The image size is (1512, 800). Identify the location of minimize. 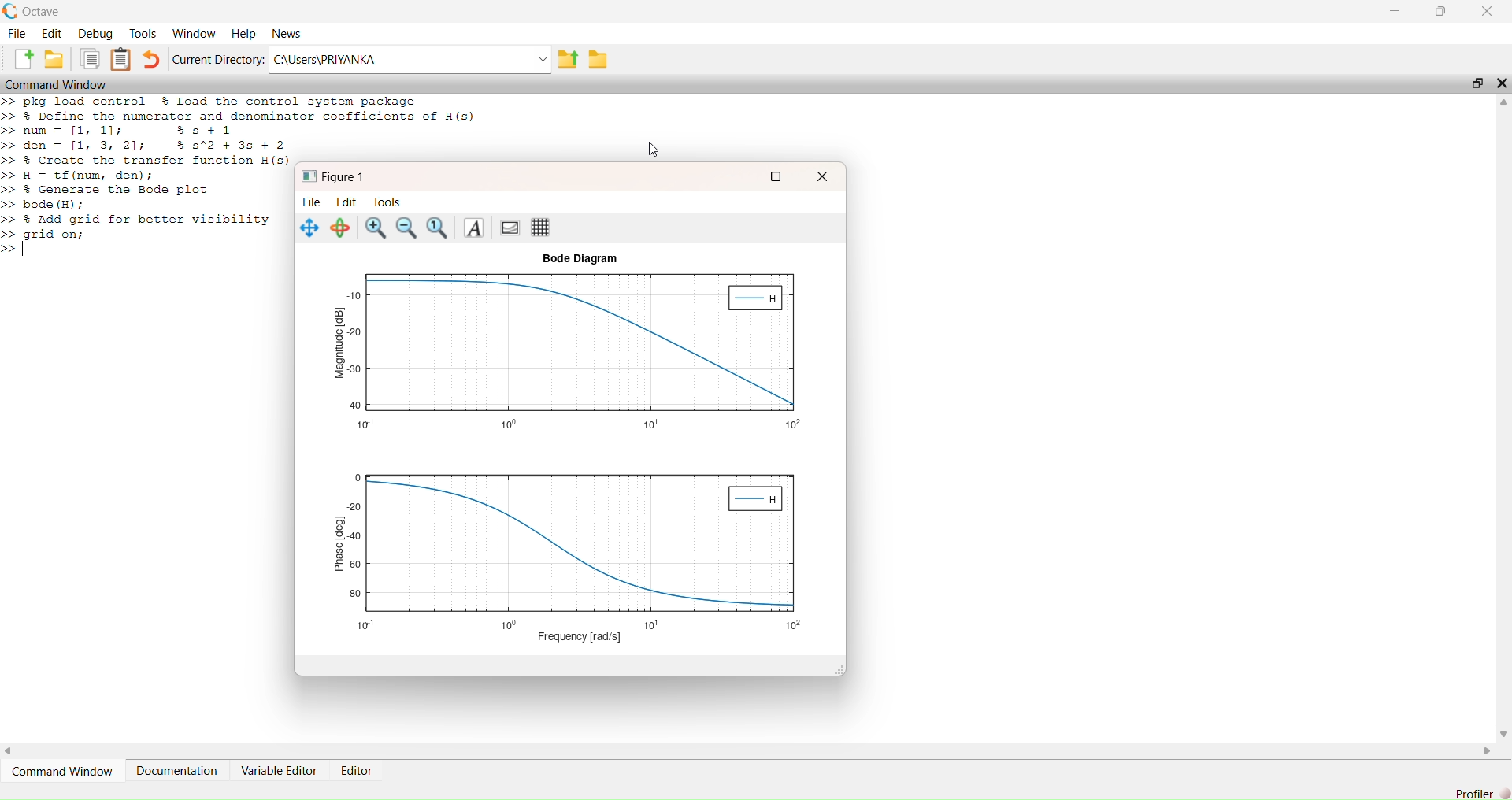
(730, 175).